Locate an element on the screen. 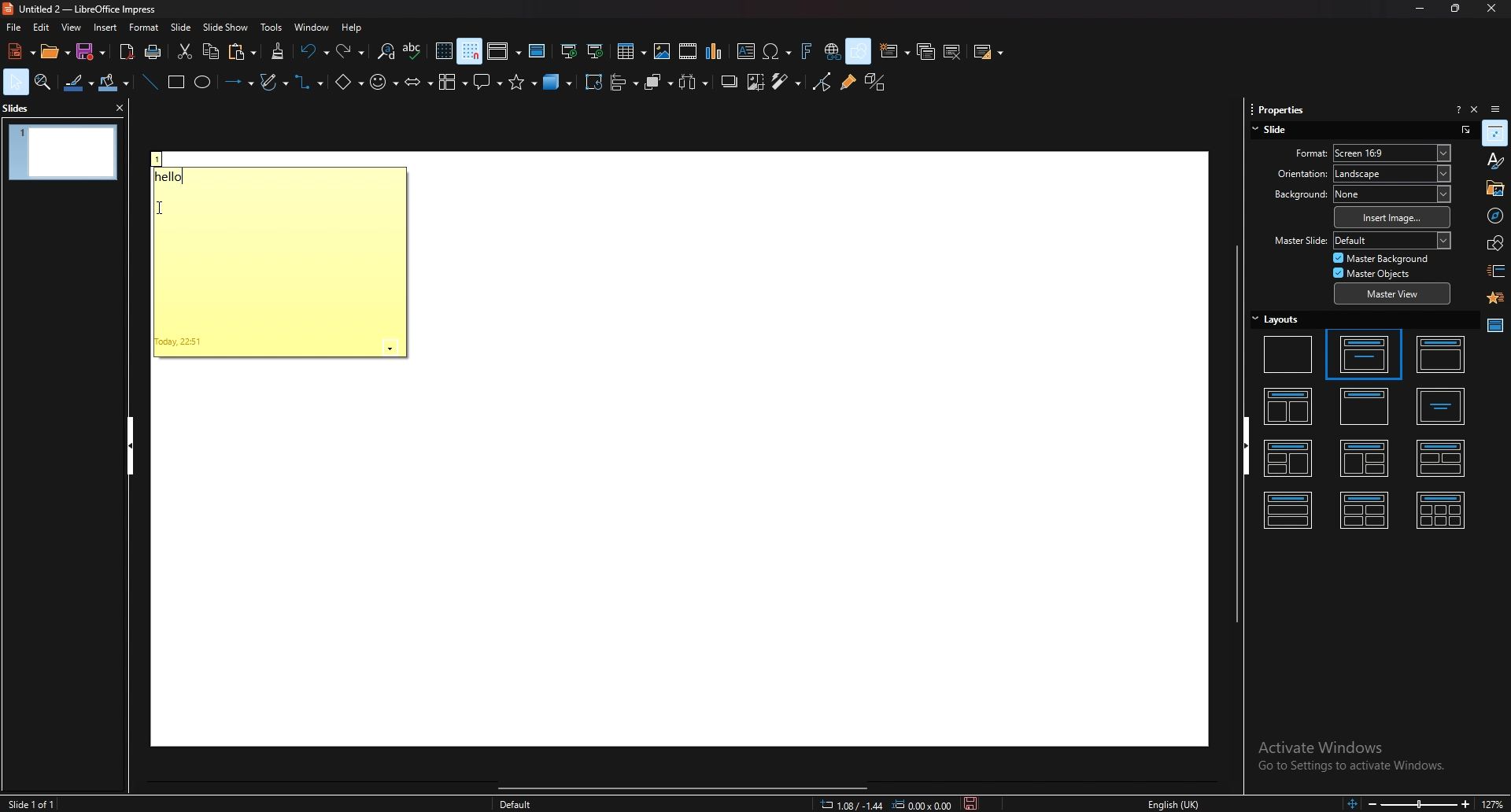 The width and height of the screenshot is (1511, 812). cut is located at coordinates (183, 53).